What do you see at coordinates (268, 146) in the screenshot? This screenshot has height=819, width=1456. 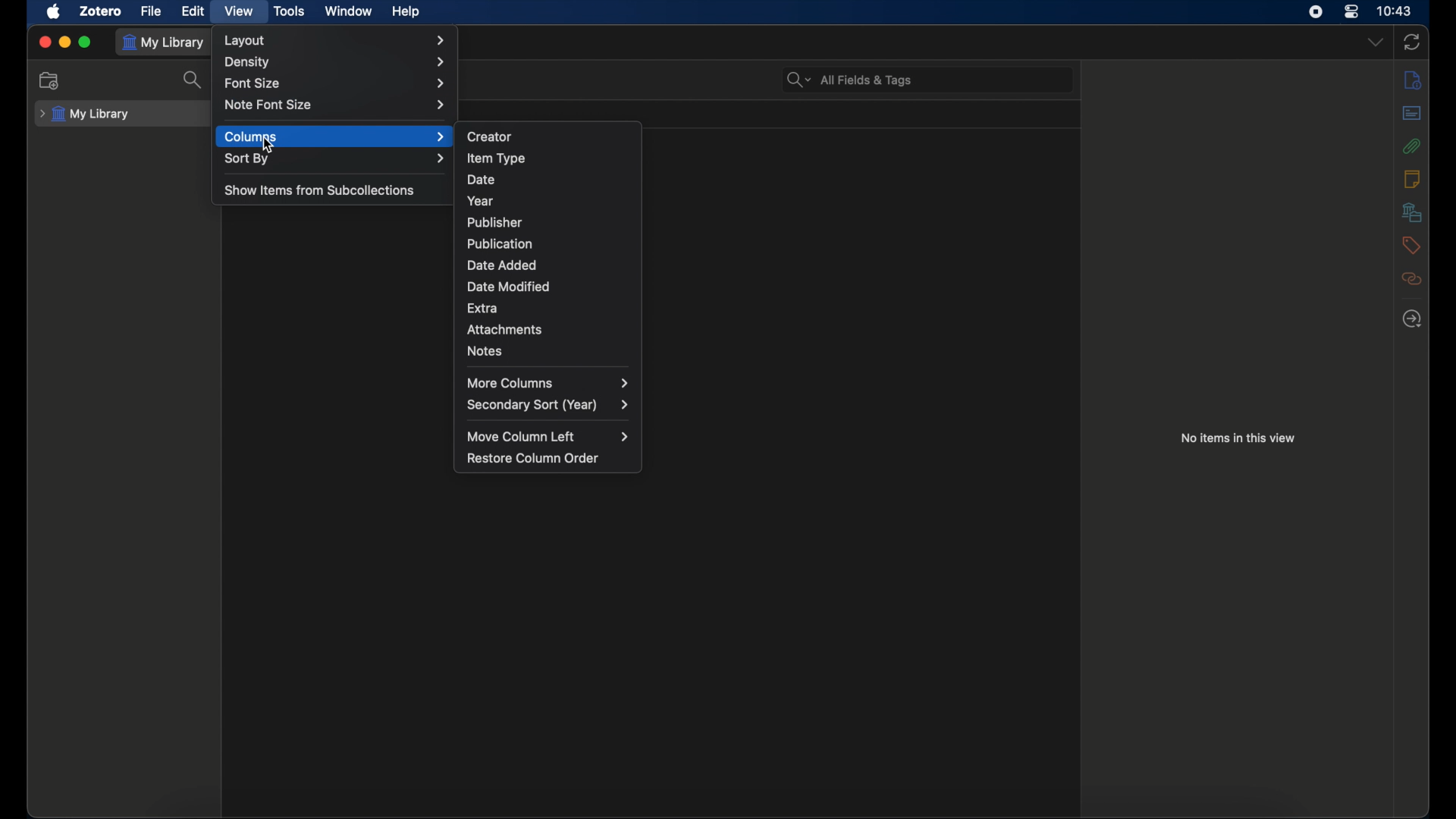 I see `cursor` at bounding box center [268, 146].